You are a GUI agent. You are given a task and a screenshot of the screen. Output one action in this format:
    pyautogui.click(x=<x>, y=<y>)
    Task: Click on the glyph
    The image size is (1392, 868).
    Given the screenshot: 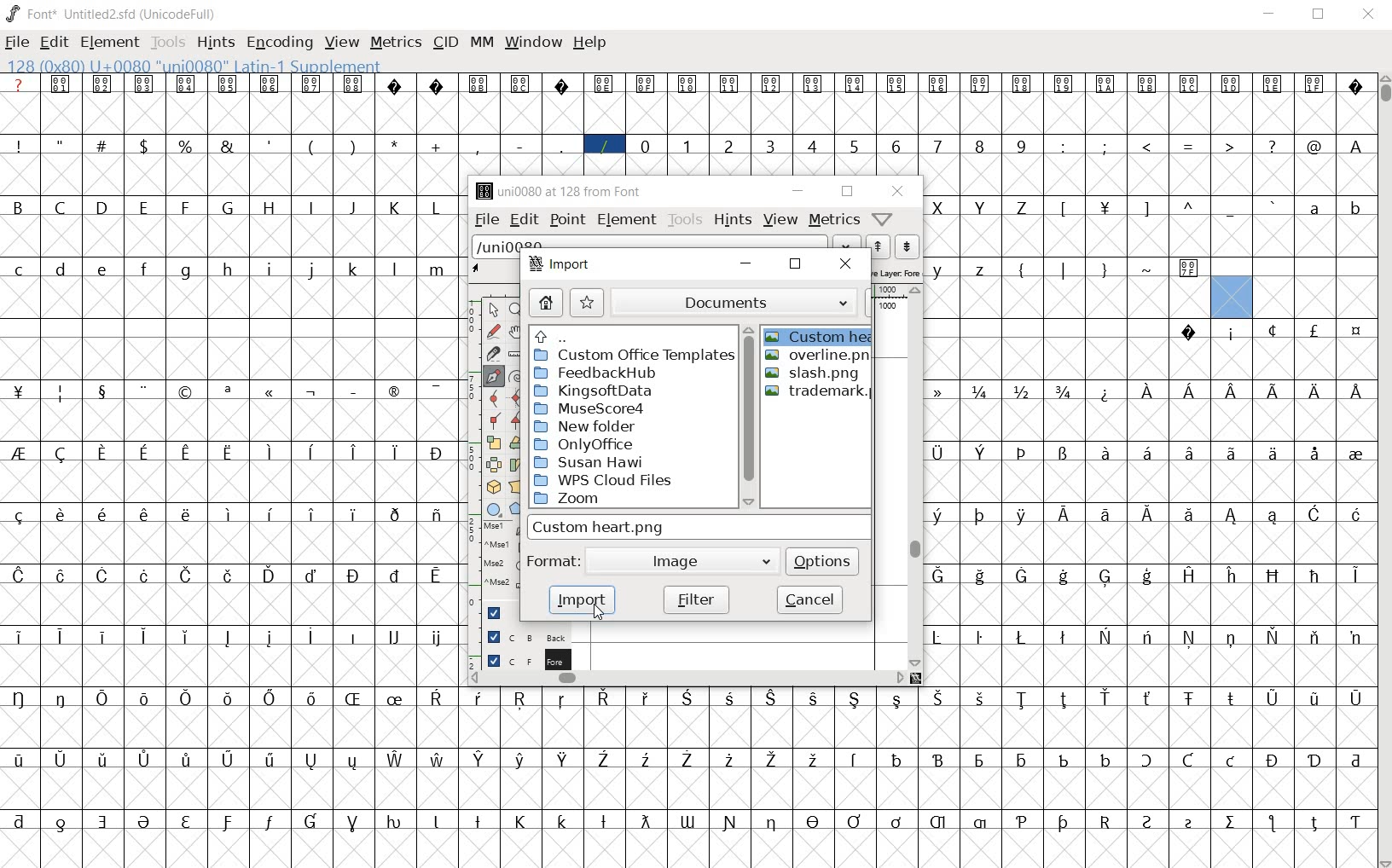 What is the action you would take?
    pyautogui.click(x=980, y=576)
    